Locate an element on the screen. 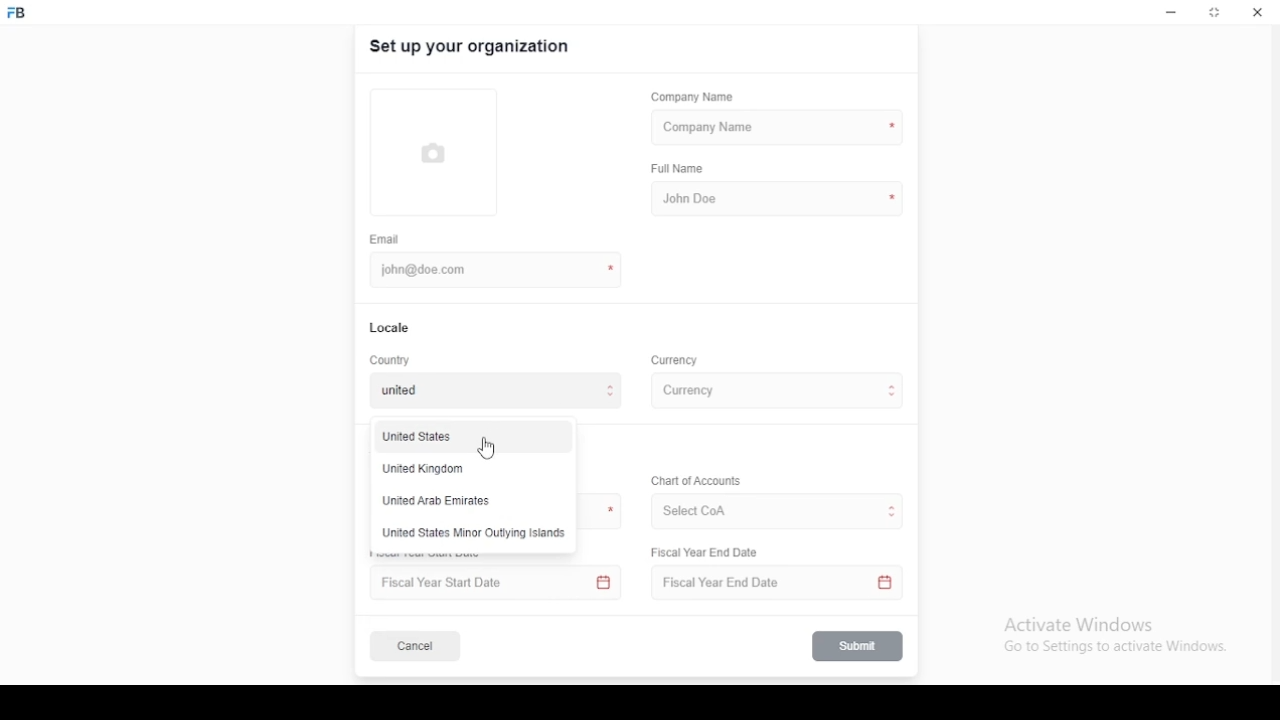 This screenshot has width=1280, height=720. Currency is located at coordinates (675, 361).